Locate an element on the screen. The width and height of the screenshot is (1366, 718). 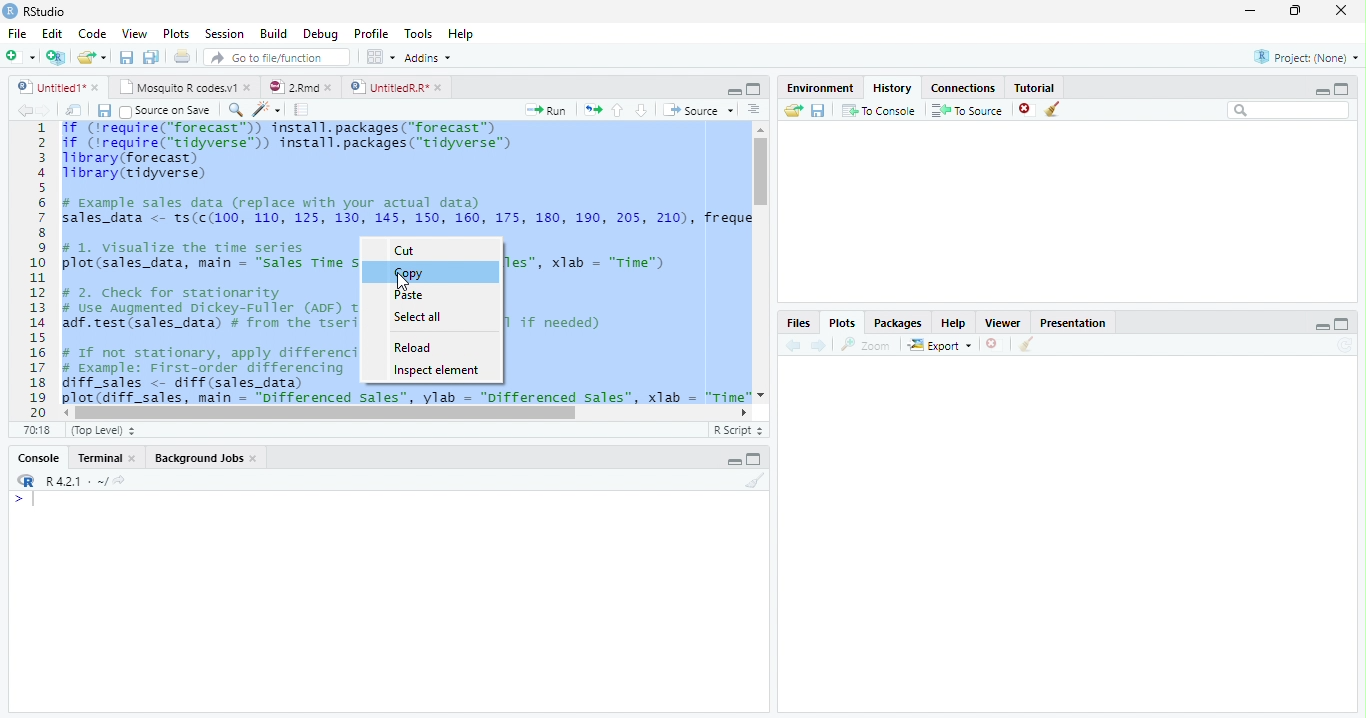
File is located at coordinates (17, 33).